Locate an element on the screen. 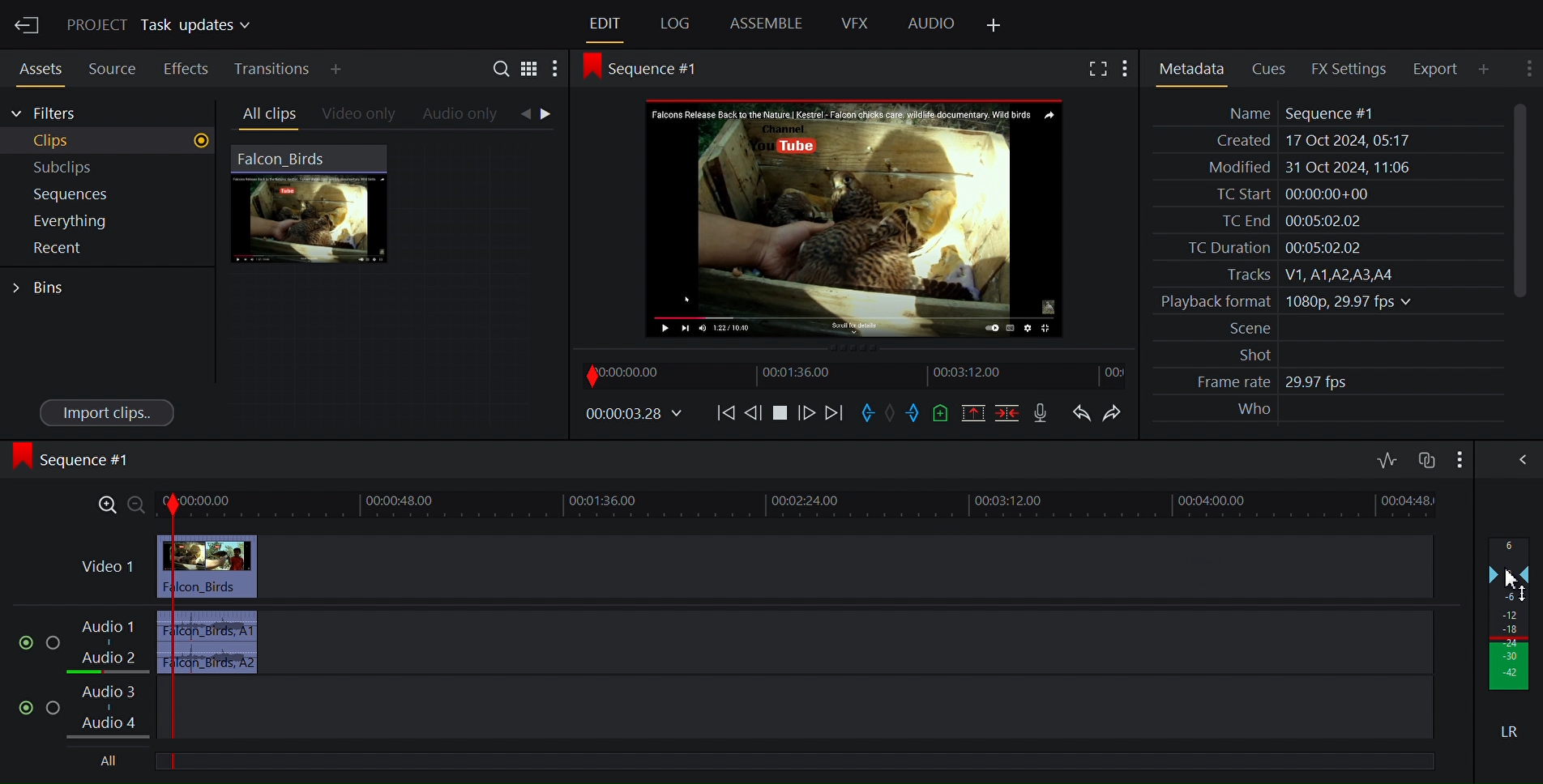 The image size is (1543, 784). Transition is located at coordinates (270, 69).